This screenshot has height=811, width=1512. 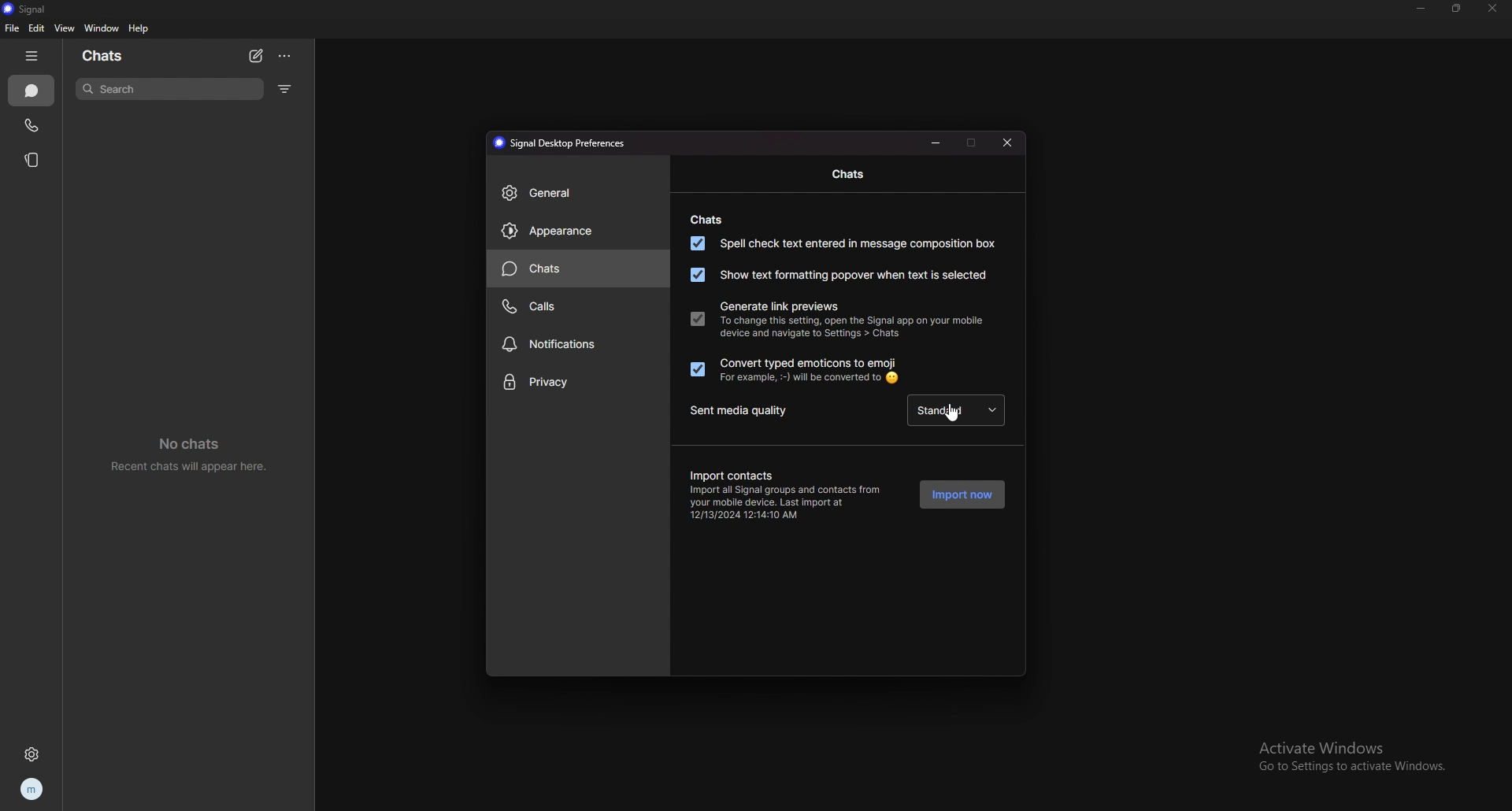 I want to click on hide tab, so click(x=32, y=56).